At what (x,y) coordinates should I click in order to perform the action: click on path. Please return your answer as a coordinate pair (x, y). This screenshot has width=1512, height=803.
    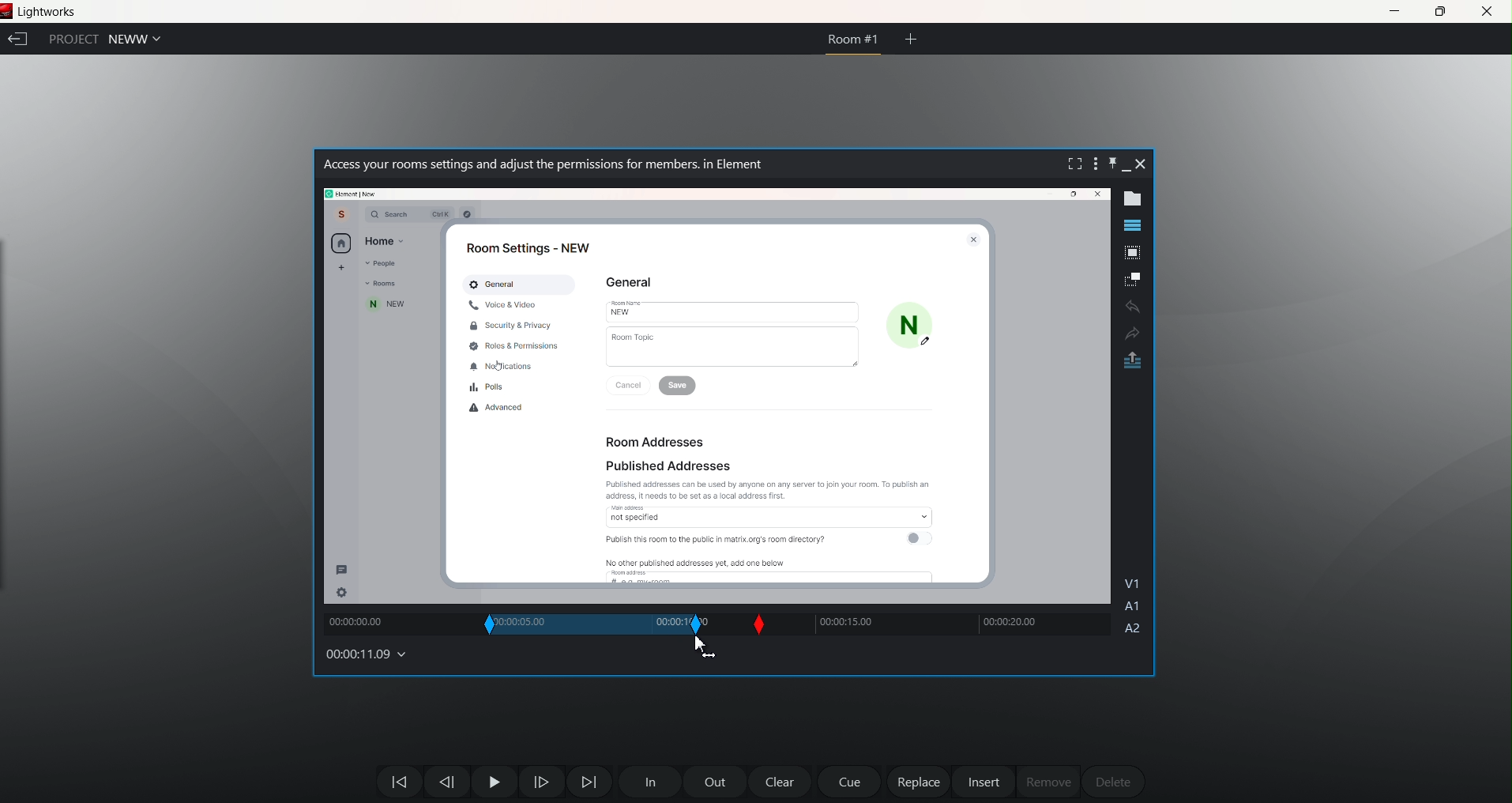
    Looking at the image, I should click on (351, 193).